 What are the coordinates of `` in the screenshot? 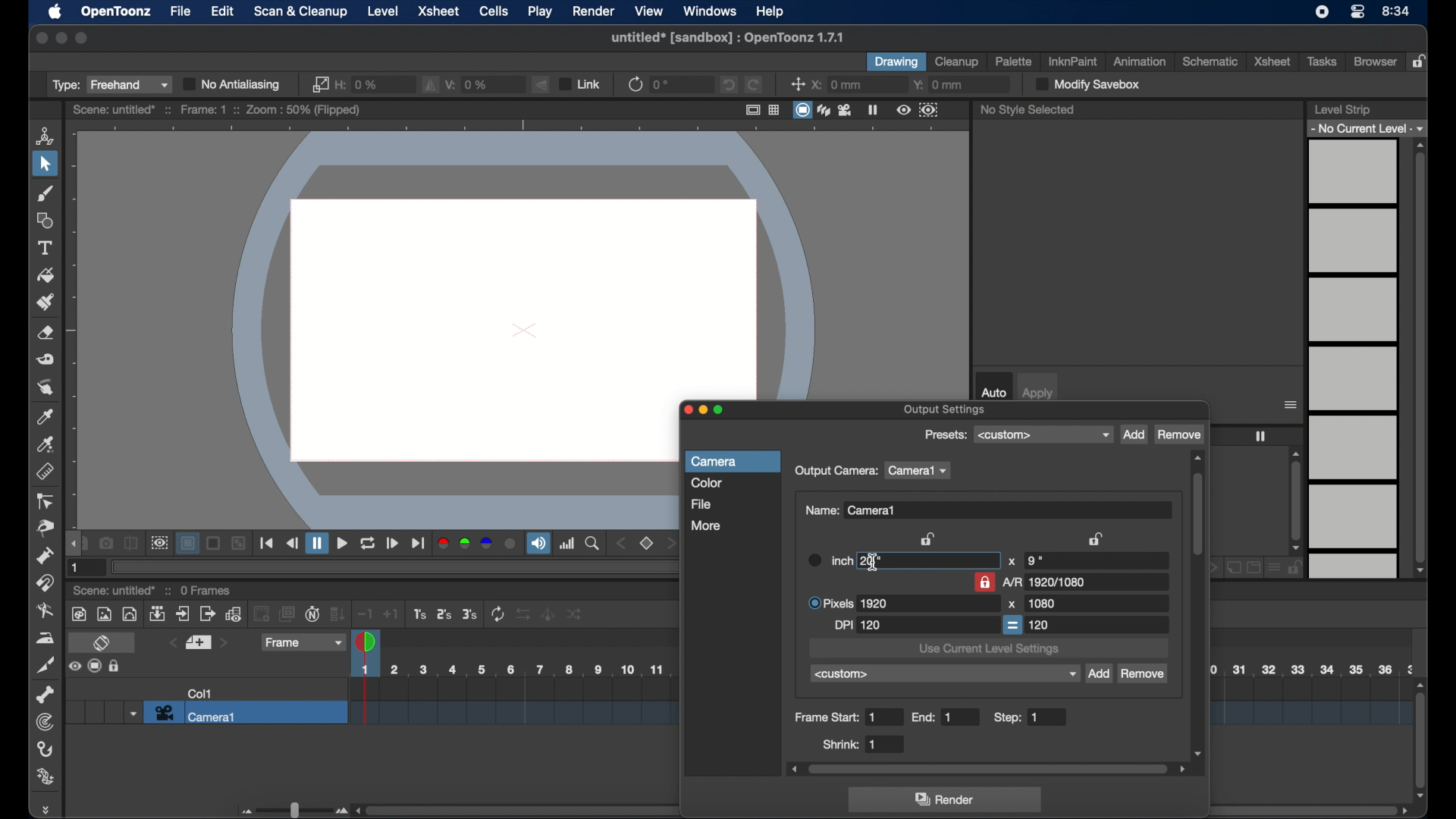 It's located at (207, 613).